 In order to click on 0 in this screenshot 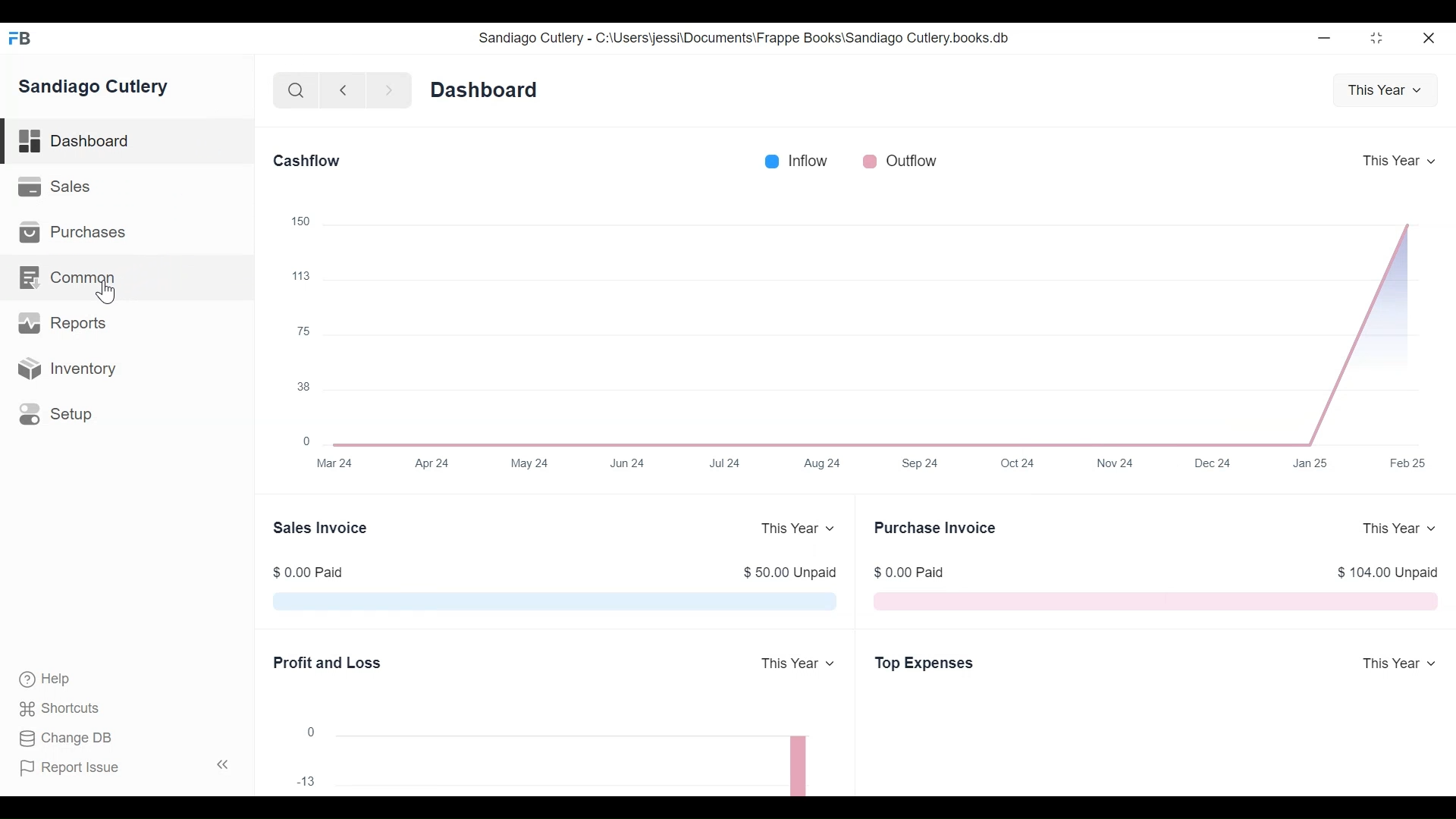, I will do `click(306, 442)`.